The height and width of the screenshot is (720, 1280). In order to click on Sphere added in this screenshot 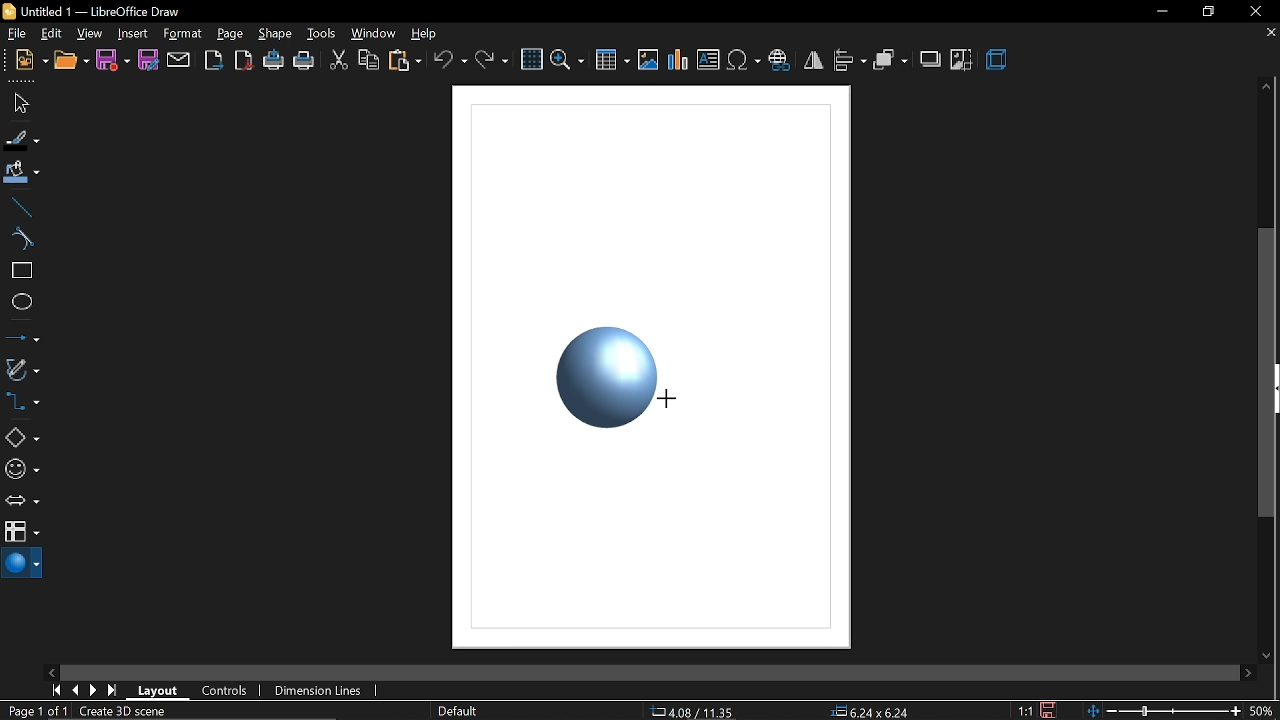, I will do `click(631, 374)`.